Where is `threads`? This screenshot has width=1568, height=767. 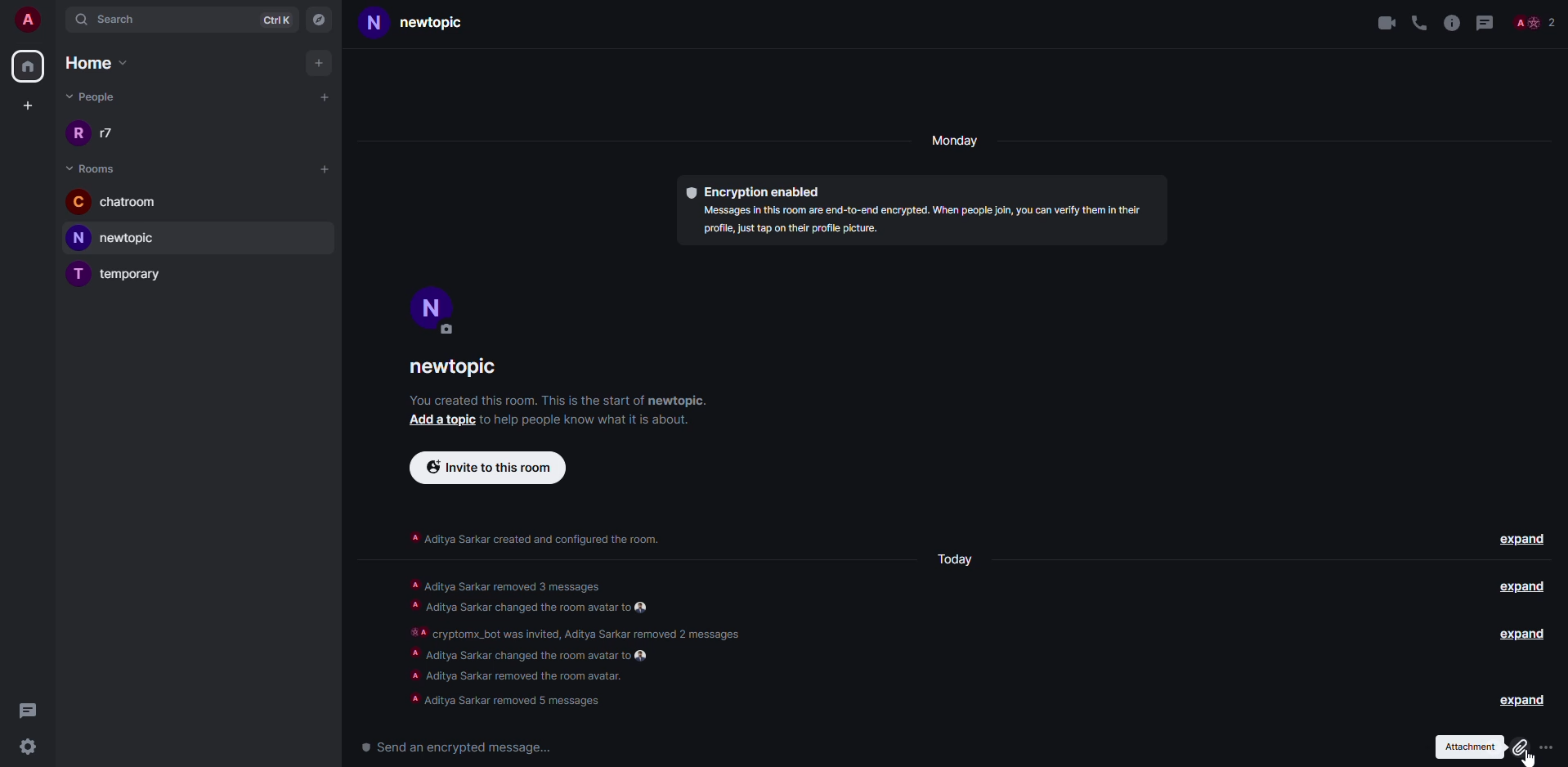
threads is located at coordinates (1488, 22).